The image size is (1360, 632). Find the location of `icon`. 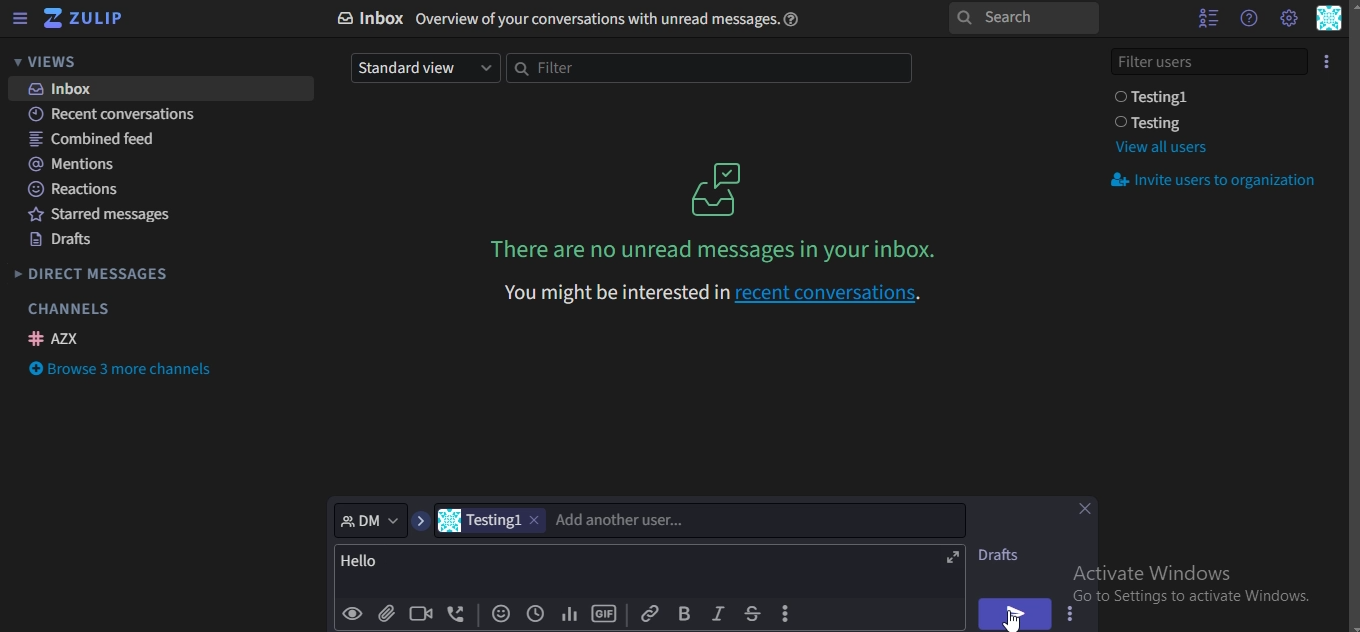

icon is located at coordinates (719, 188).